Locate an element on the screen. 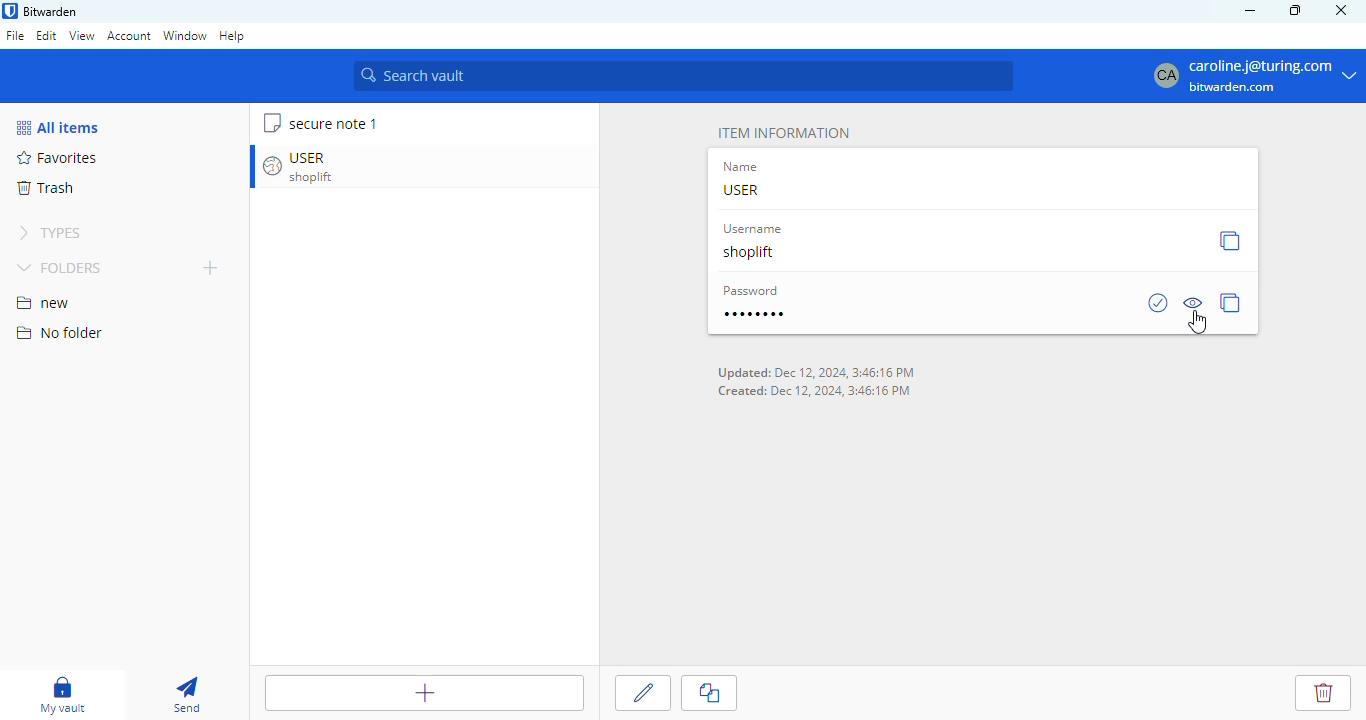 The height and width of the screenshot is (720, 1366). window is located at coordinates (185, 36).